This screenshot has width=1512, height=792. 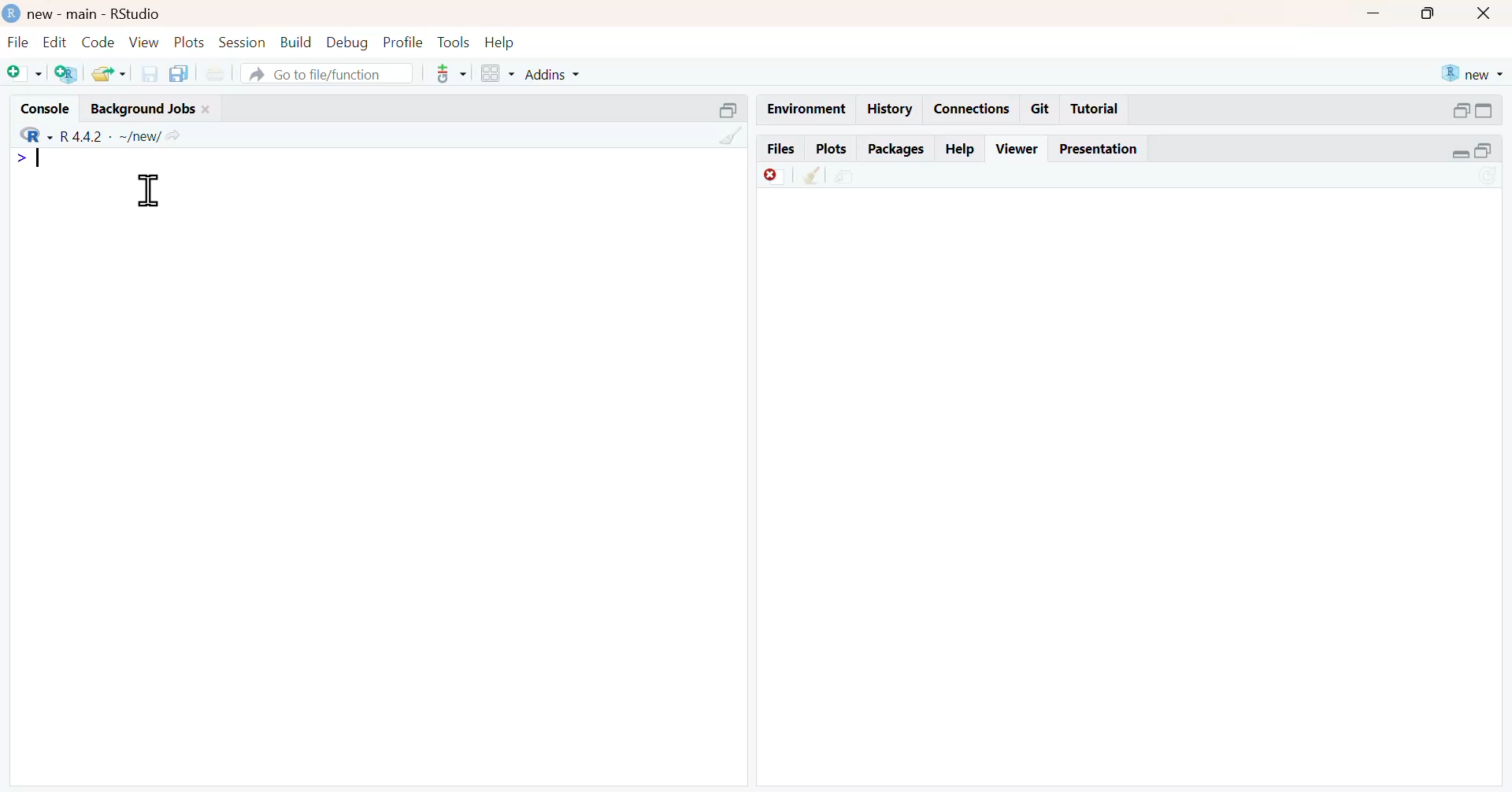 I want to click on console, so click(x=37, y=105).